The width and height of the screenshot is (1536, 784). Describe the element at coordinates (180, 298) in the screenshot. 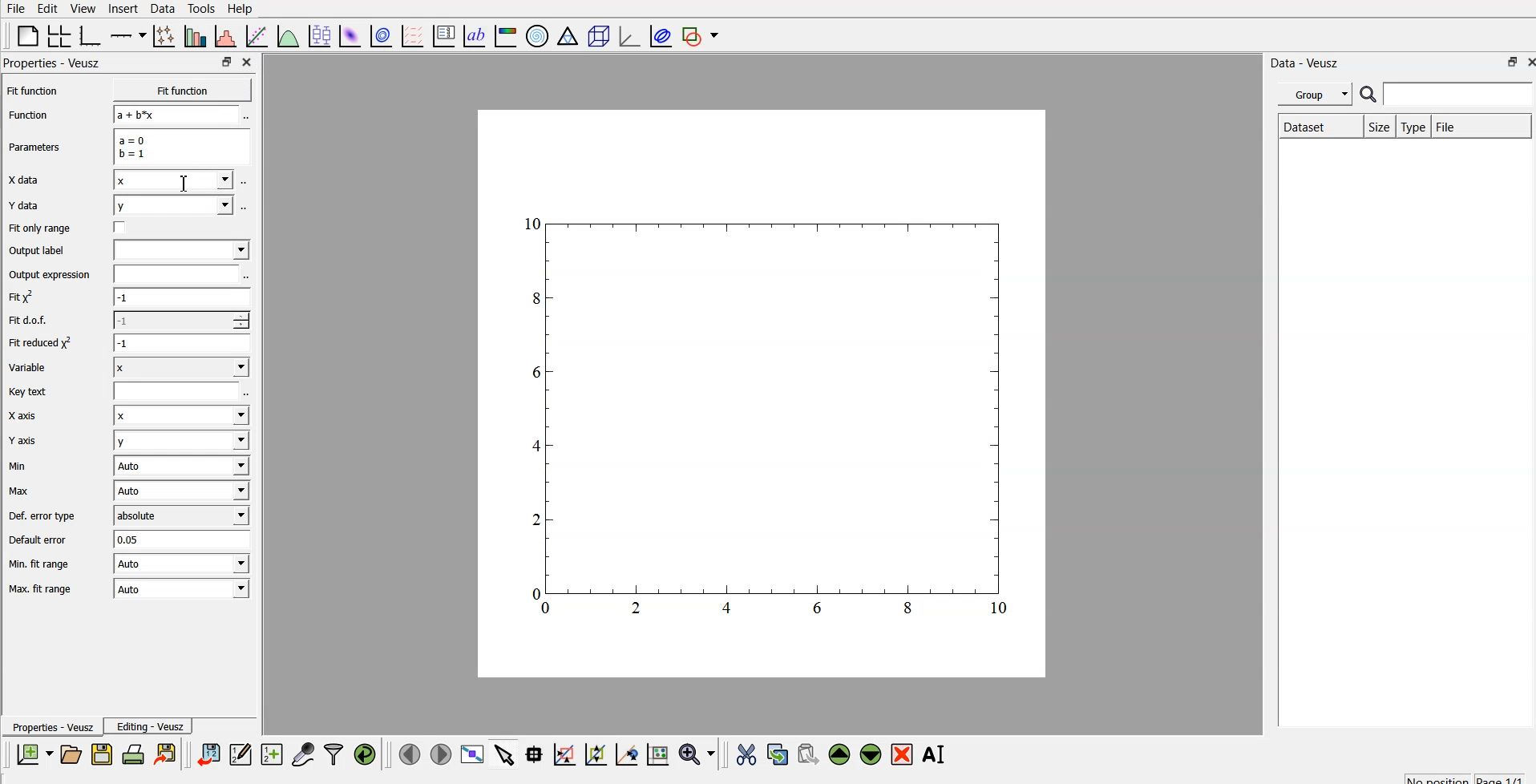

I see `-1` at that location.